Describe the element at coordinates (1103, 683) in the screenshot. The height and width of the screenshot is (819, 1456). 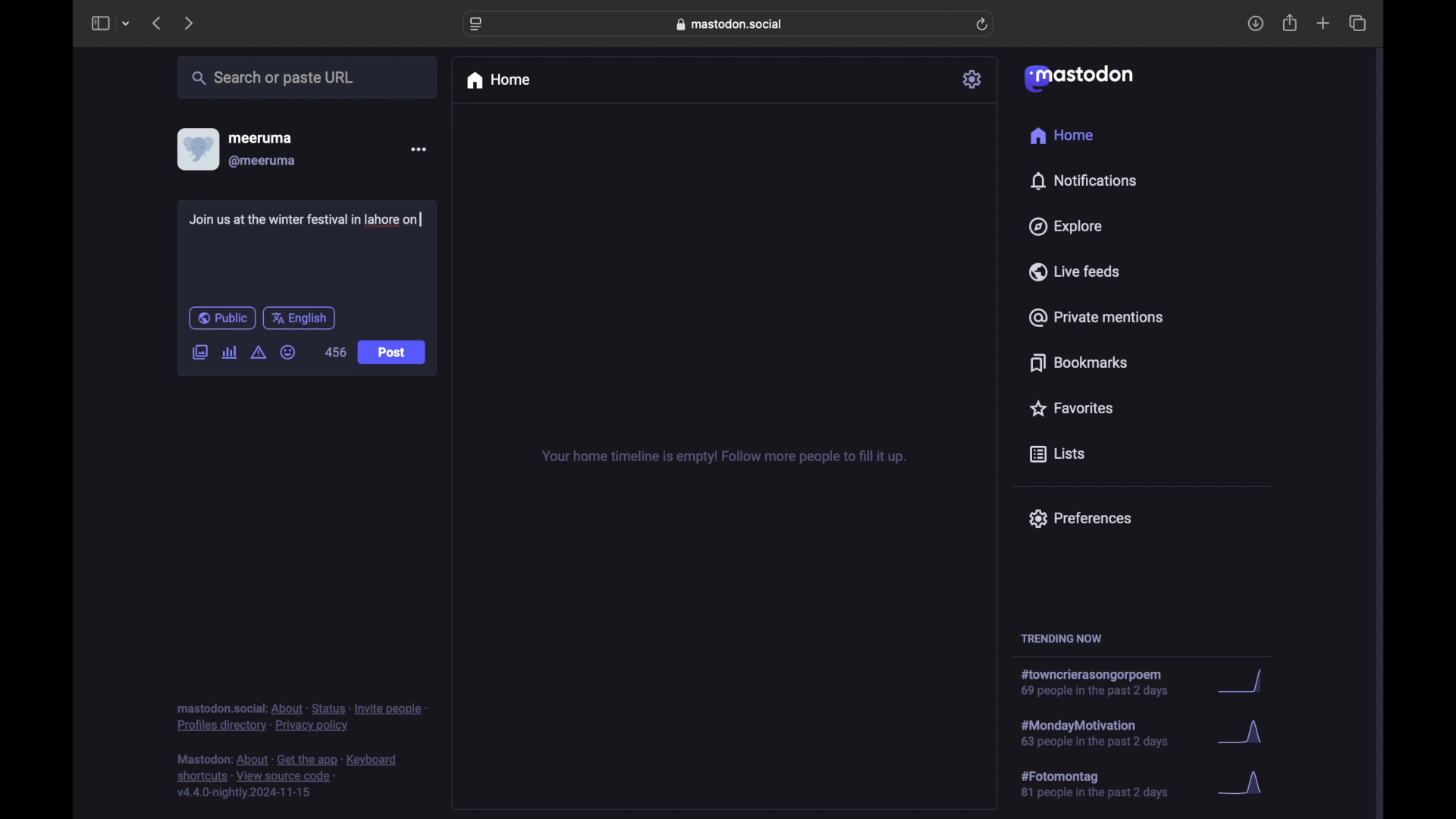
I see `hashtag trend` at that location.